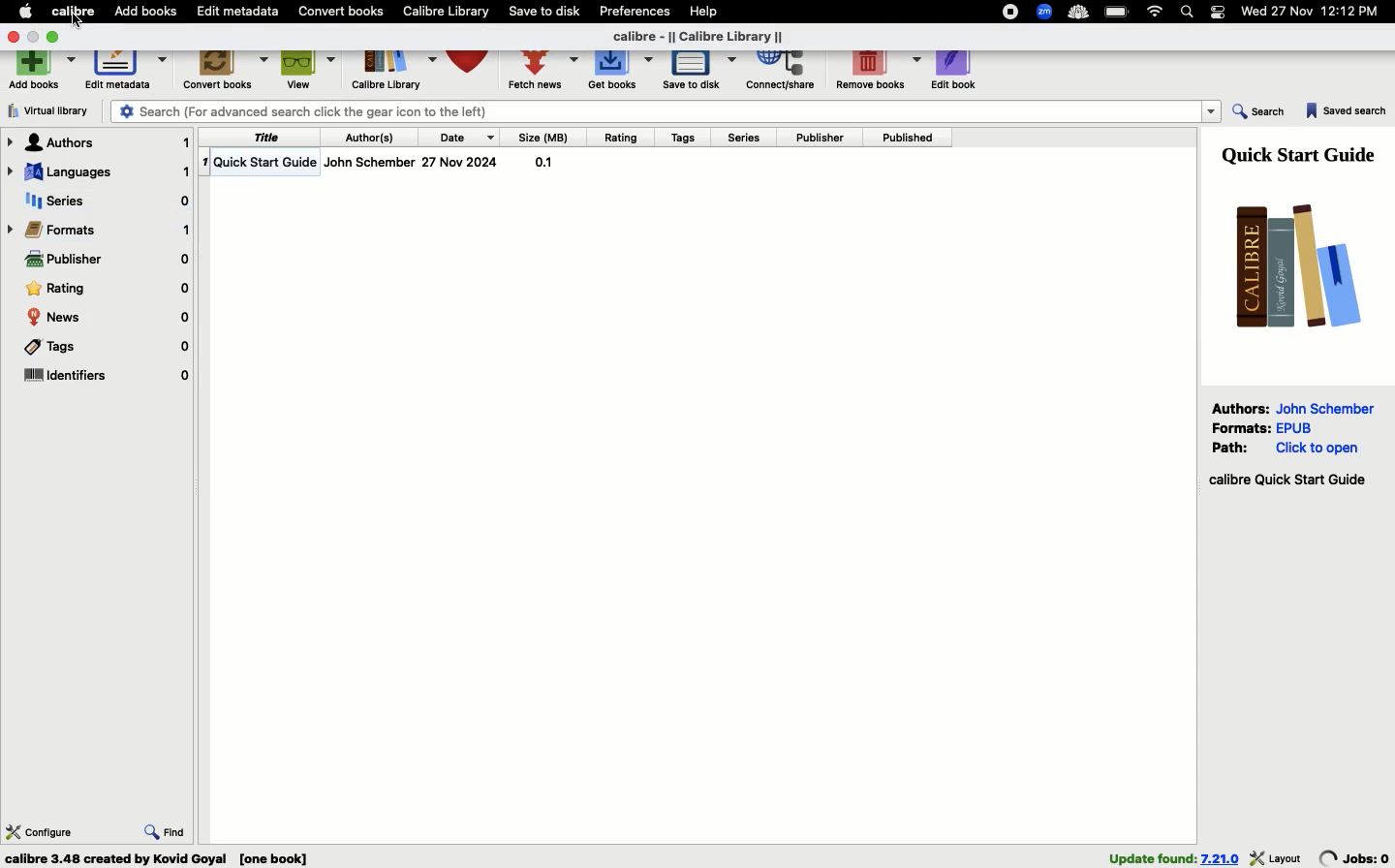 The image size is (1395, 868). What do you see at coordinates (259, 139) in the screenshot?
I see `Title` at bounding box center [259, 139].